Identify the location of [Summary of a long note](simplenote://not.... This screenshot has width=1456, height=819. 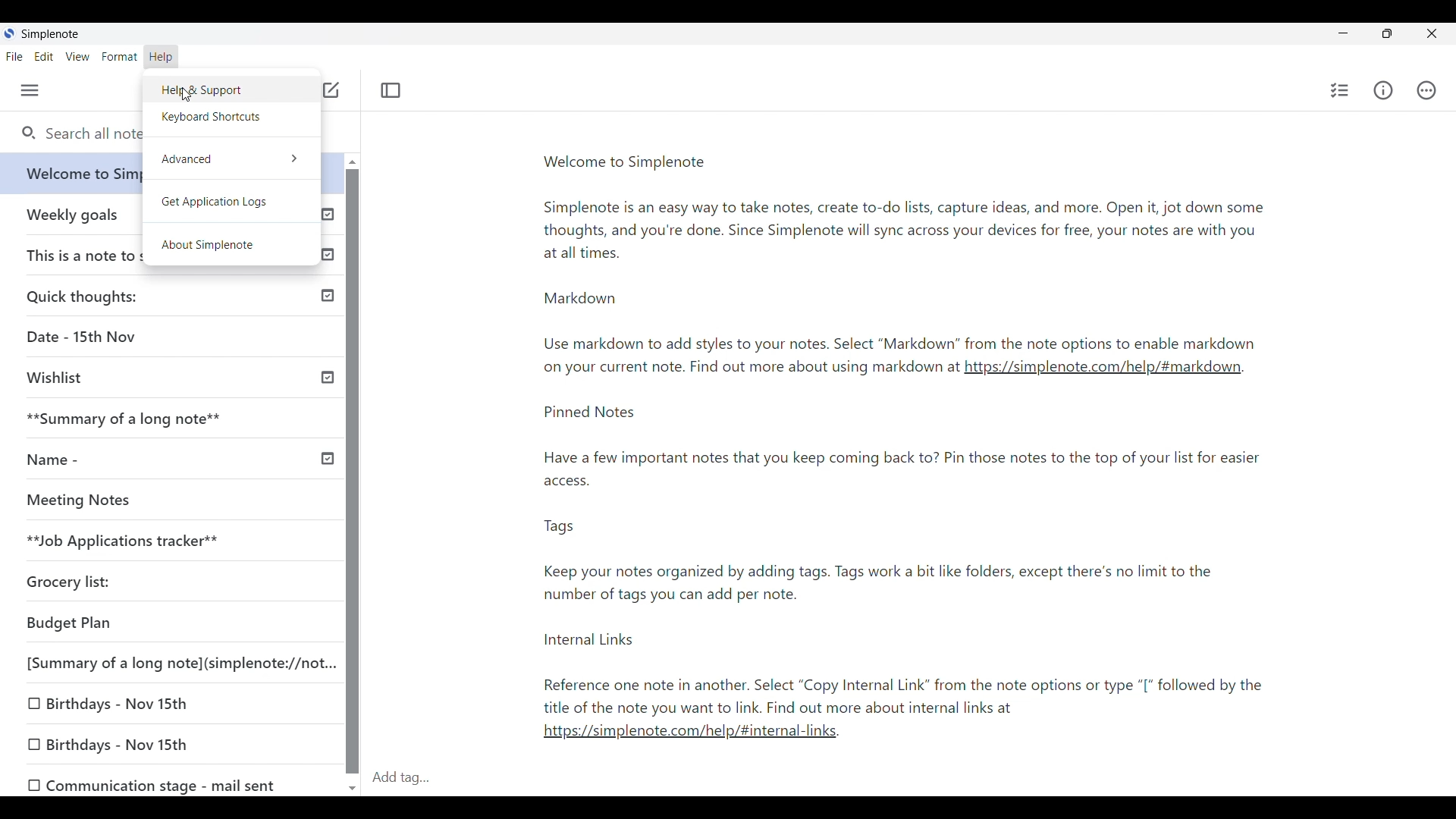
(176, 664).